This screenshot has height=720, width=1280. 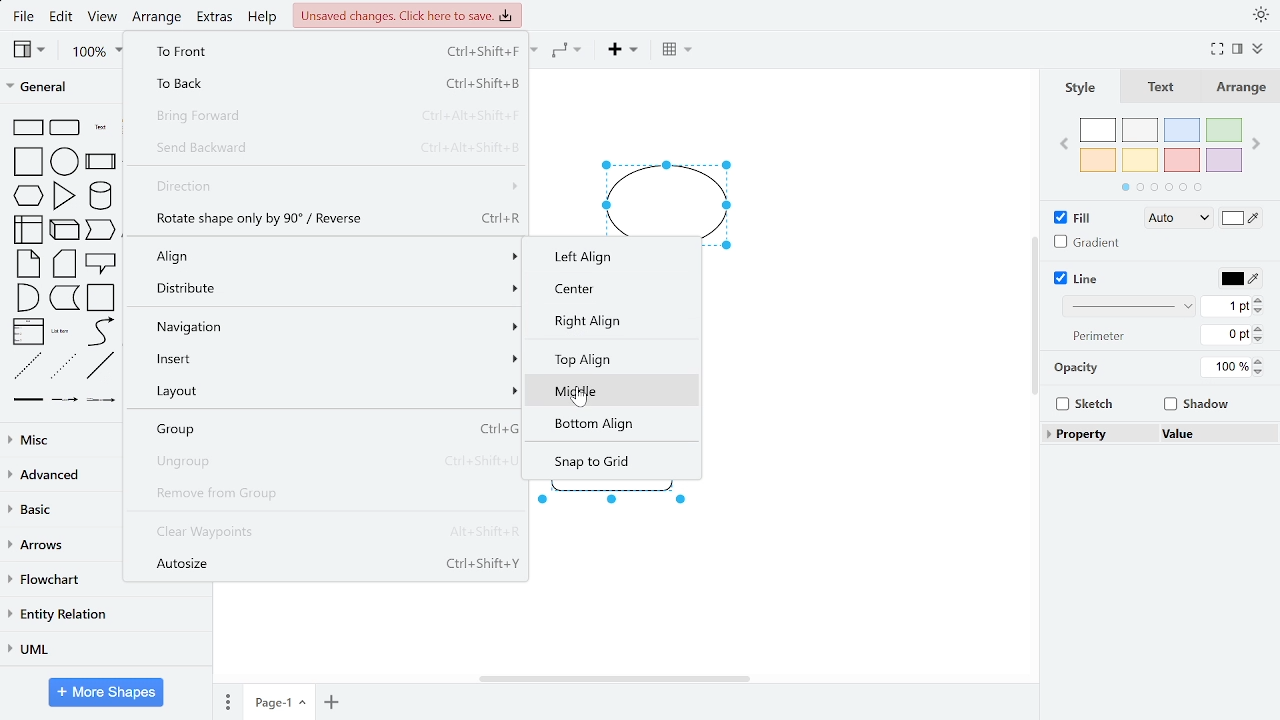 I want to click on Arrange, so click(x=1237, y=86).